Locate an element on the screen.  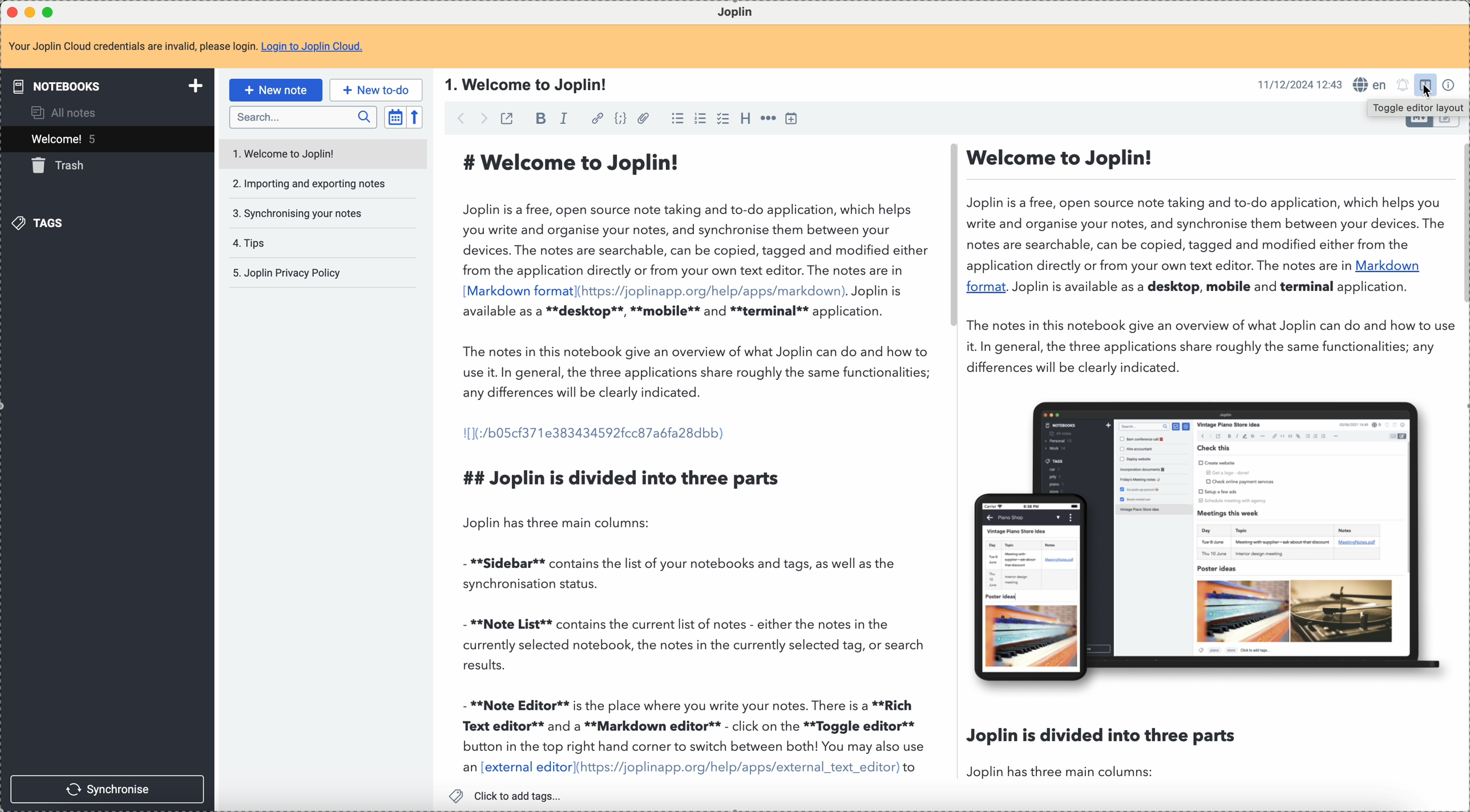
Markdown is located at coordinates (1393, 266).